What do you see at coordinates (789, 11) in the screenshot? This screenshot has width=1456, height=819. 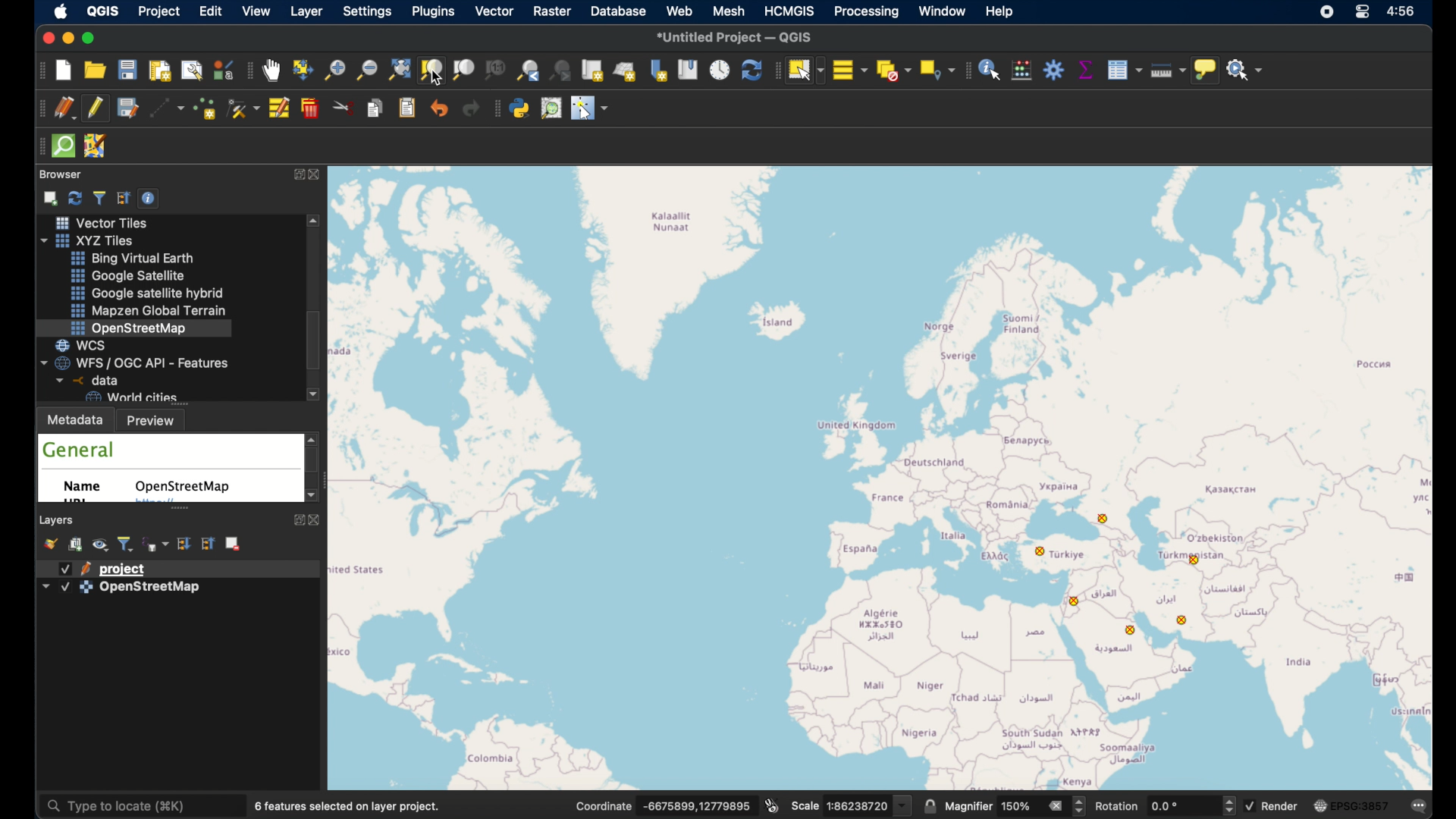 I see `HCMGIS` at bounding box center [789, 11].